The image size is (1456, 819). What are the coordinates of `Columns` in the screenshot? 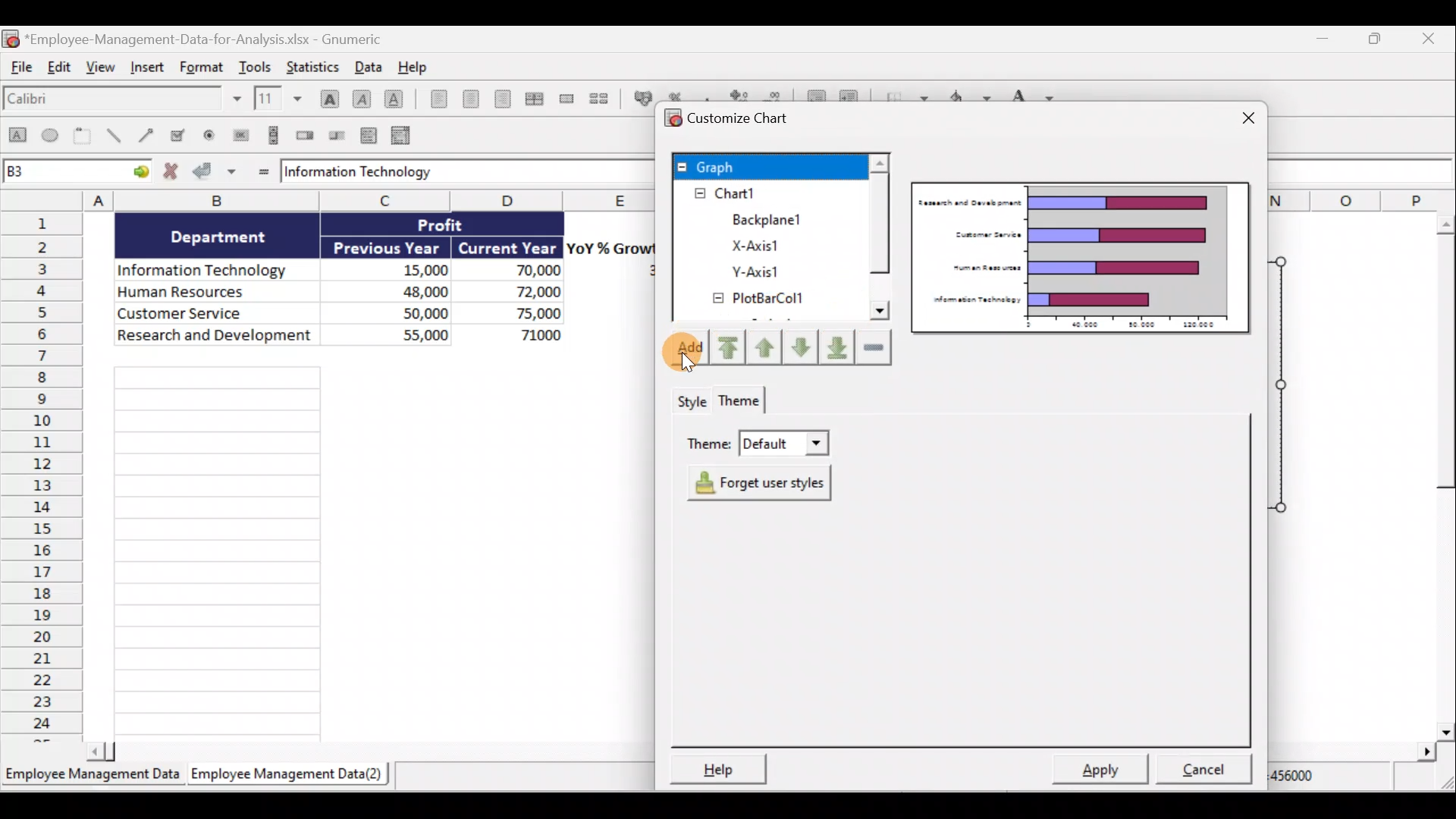 It's located at (372, 200).